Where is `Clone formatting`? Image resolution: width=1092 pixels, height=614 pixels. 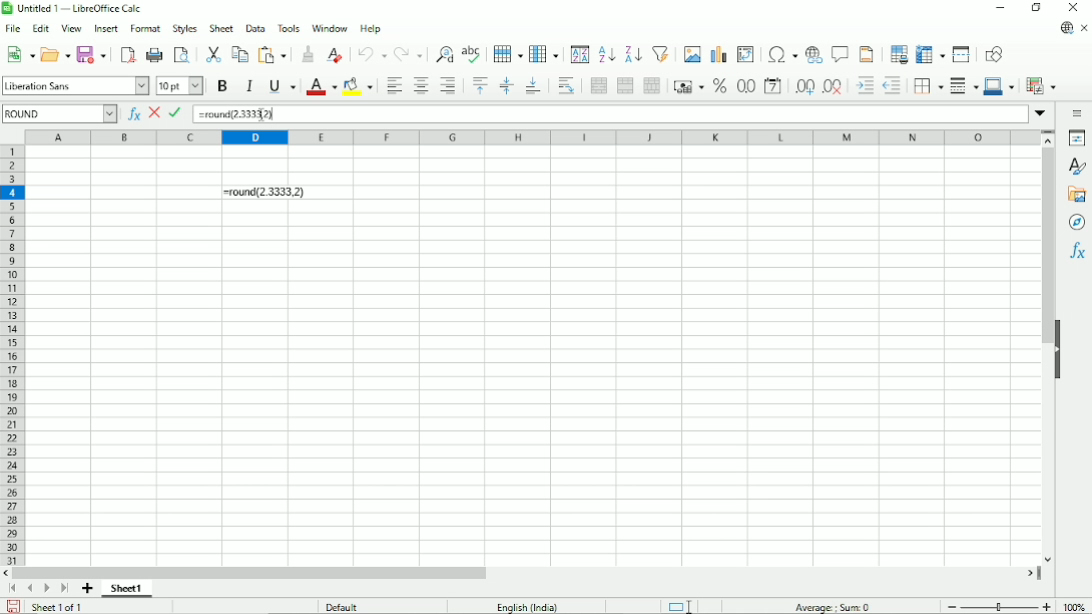 Clone formatting is located at coordinates (306, 54).